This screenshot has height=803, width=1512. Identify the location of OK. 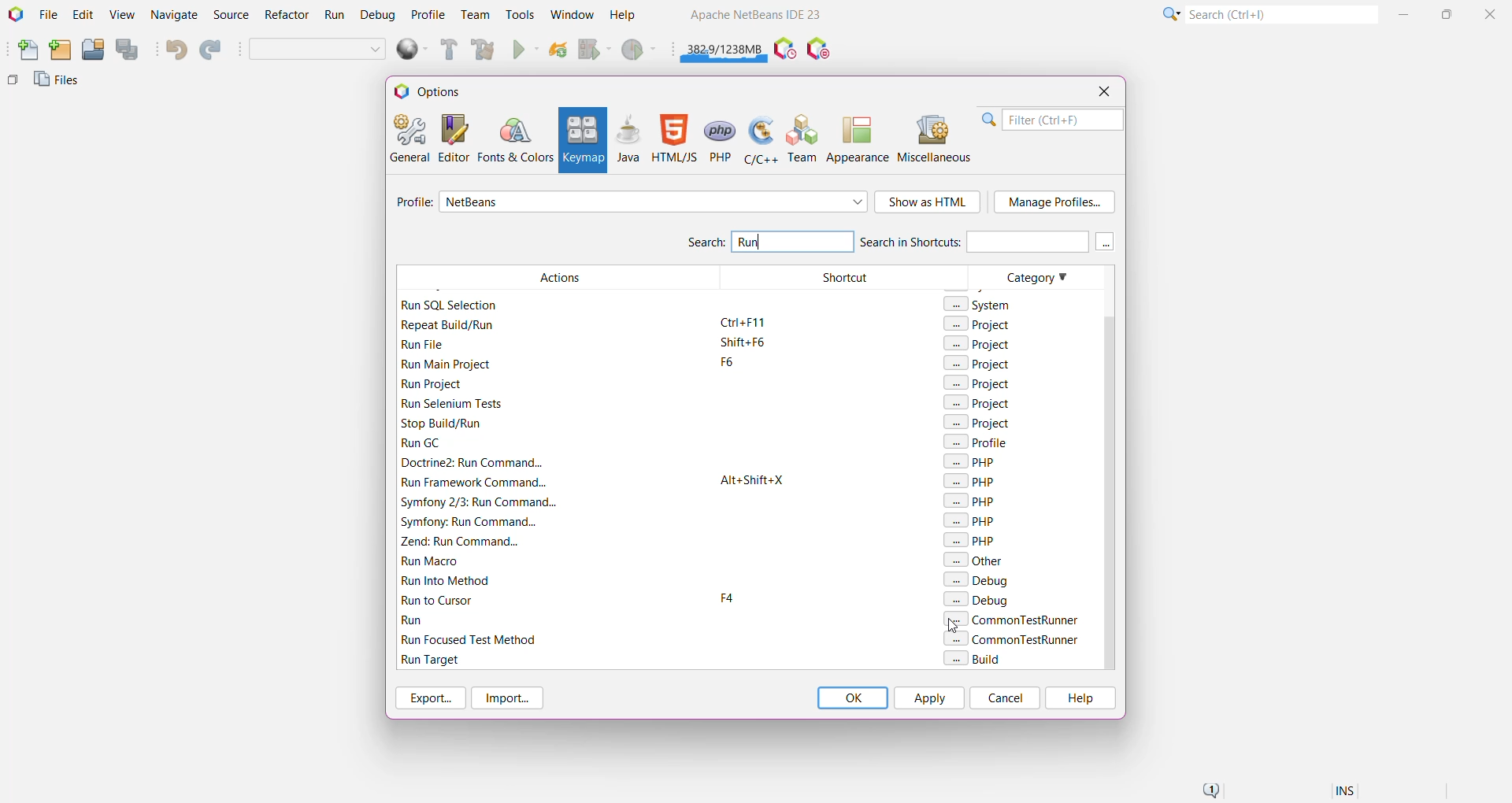
(852, 698).